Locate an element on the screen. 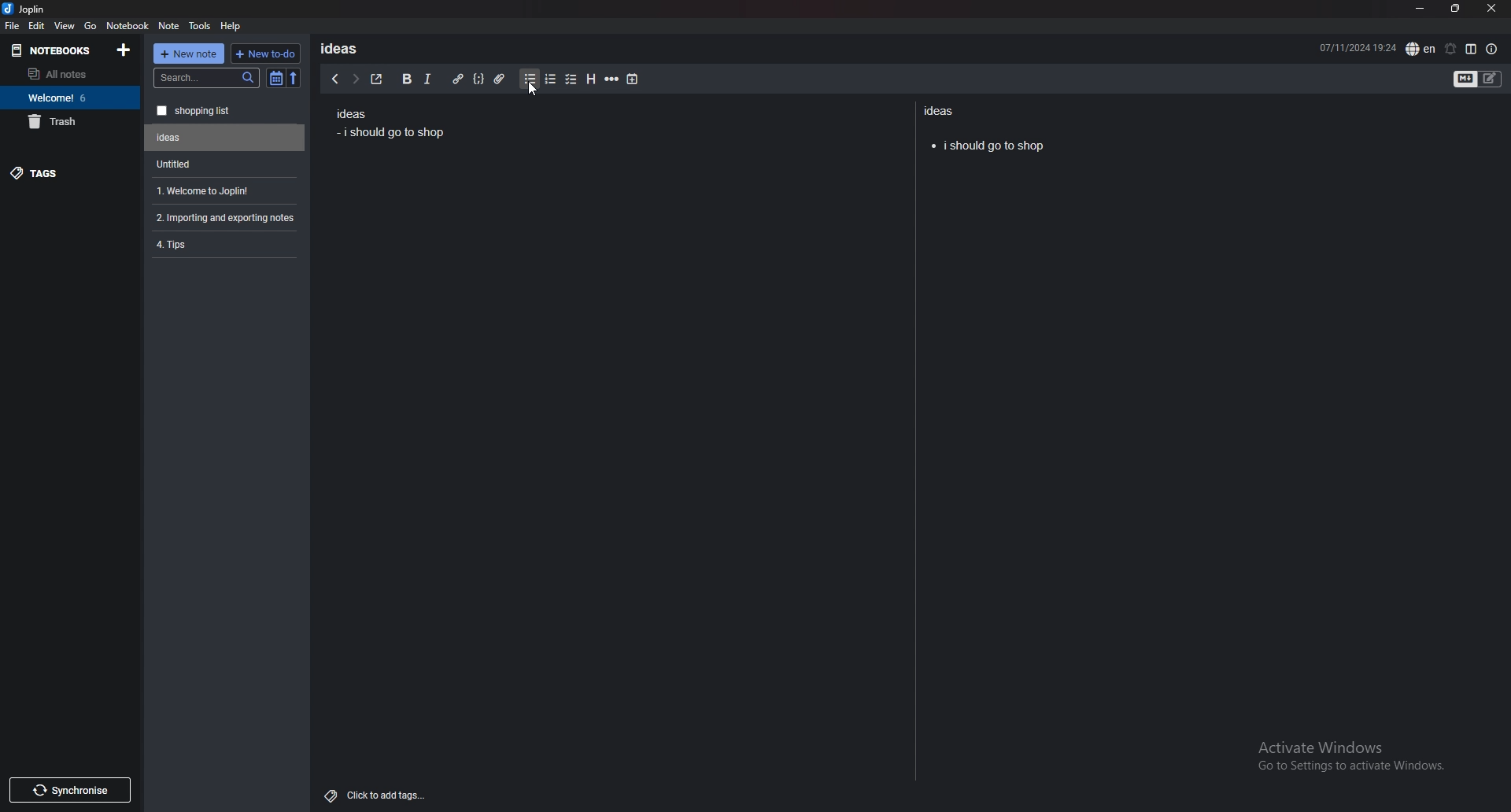 This screenshot has width=1511, height=812. all notes is located at coordinates (67, 74).